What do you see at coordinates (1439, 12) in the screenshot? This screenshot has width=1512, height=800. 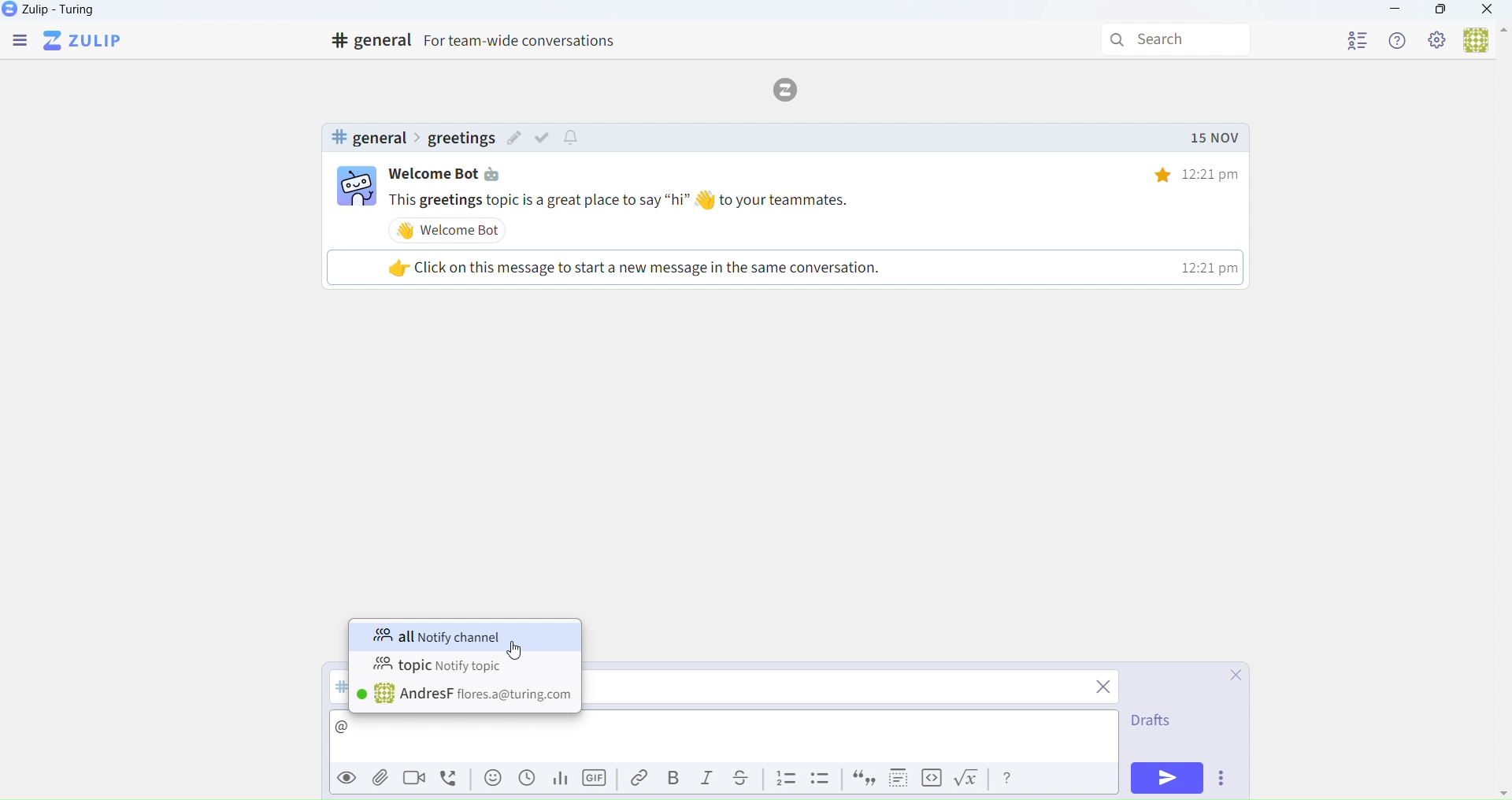 I see `restore down` at bounding box center [1439, 12].